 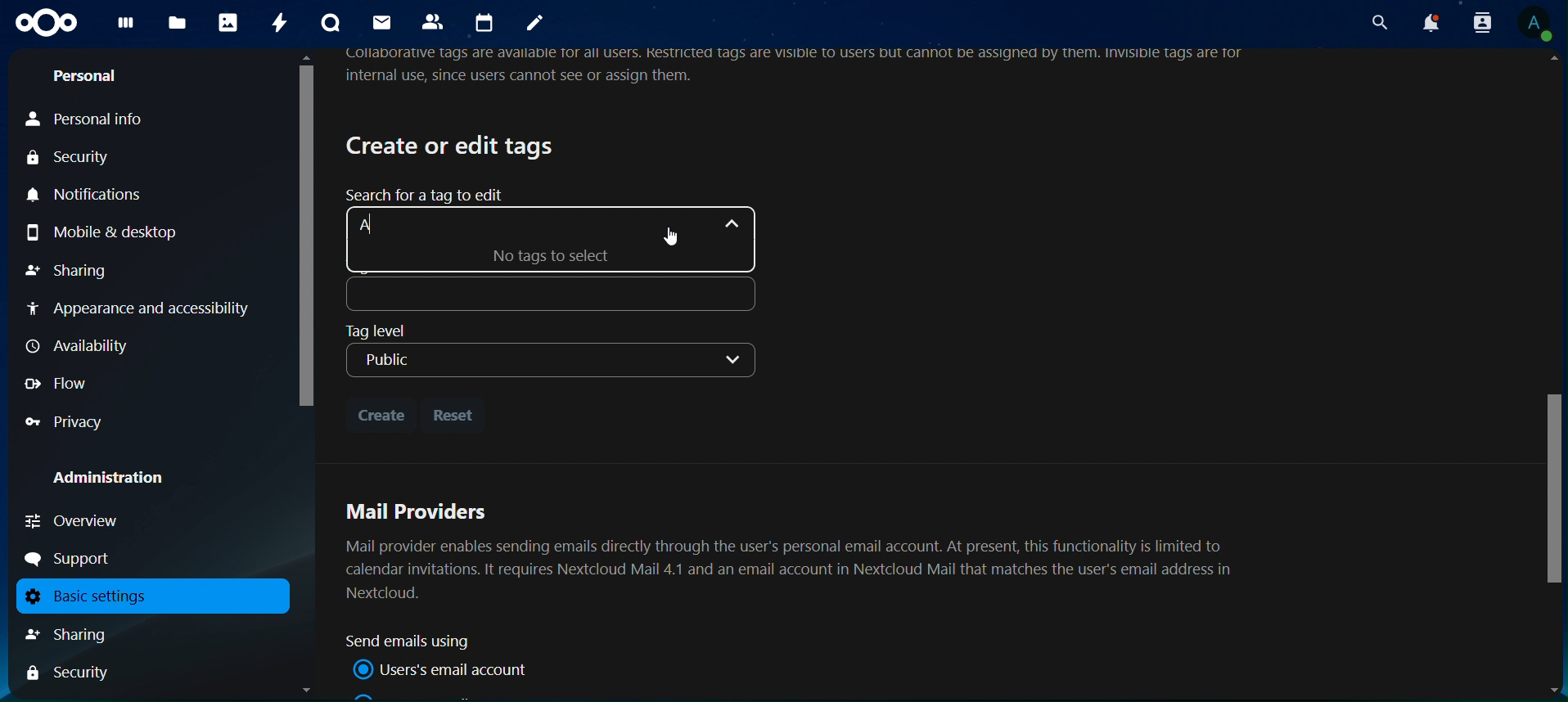 What do you see at coordinates (381, 412) in the screenshot?
I see `create` at bounding box center [381, 412].